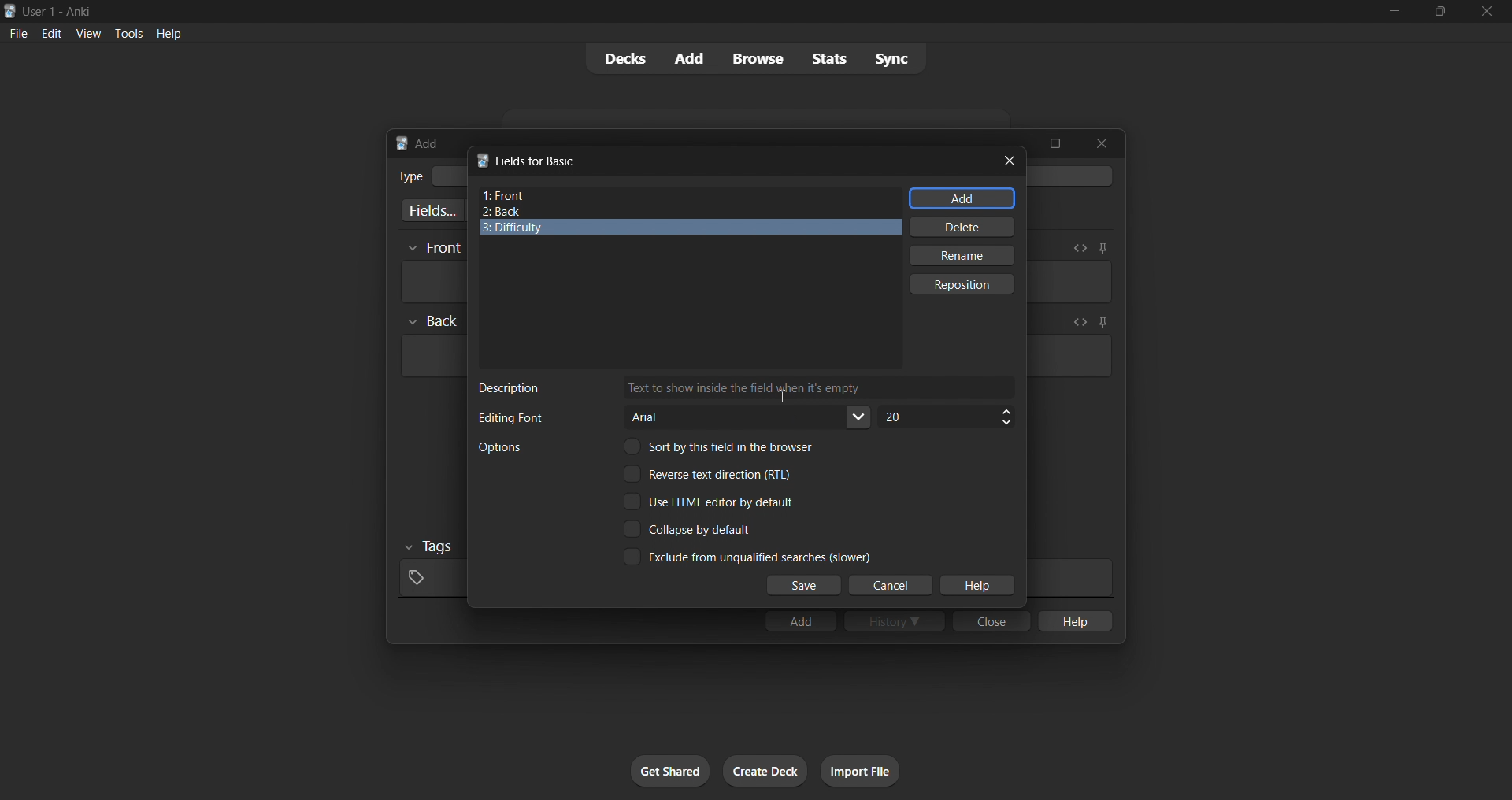  Describe the element at coordinates (1394, 12) in the screenshot. I see `minimize` at that location.